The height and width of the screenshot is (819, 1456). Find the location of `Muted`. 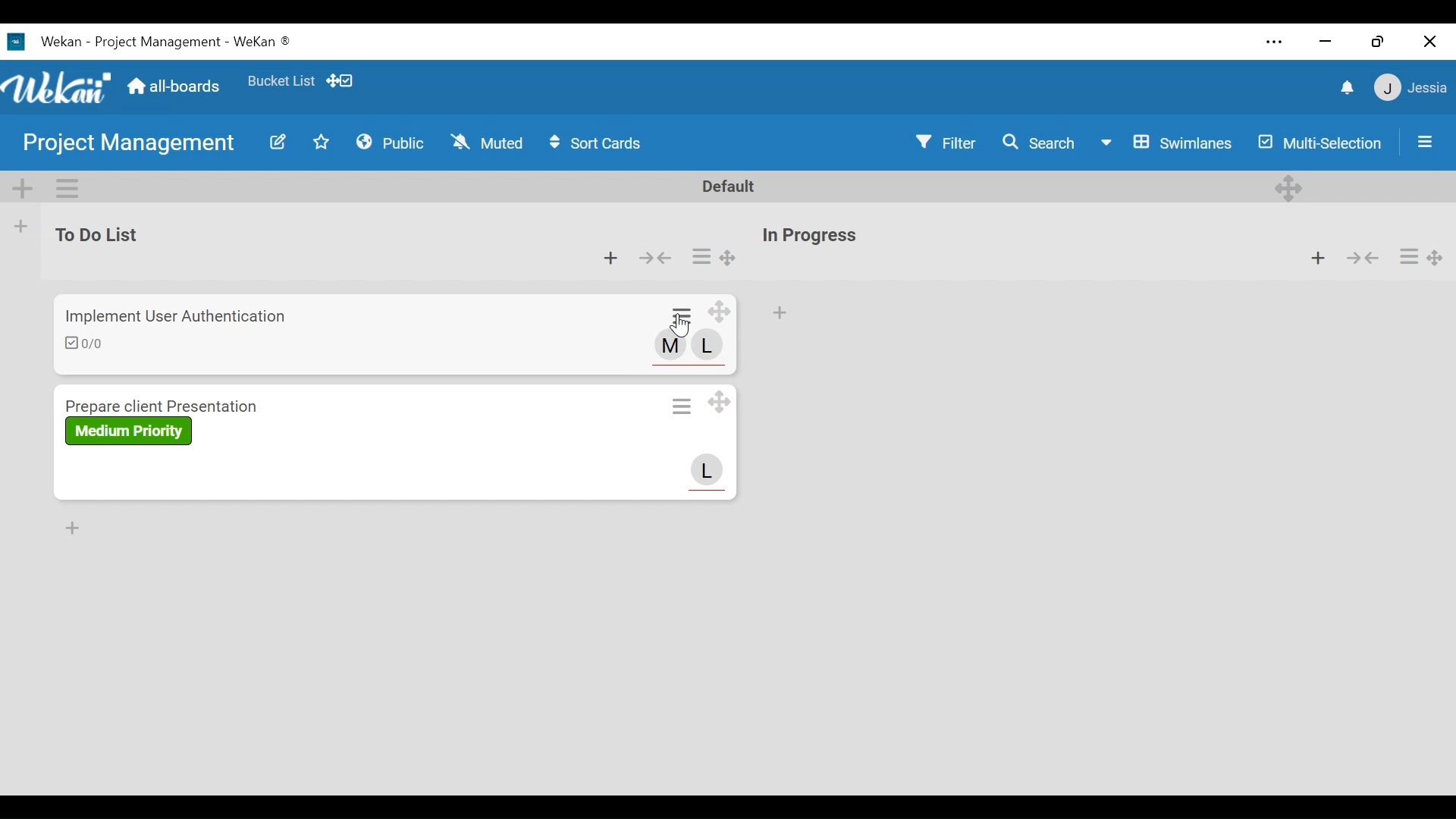

Muted is located at coordinates (486, 142).